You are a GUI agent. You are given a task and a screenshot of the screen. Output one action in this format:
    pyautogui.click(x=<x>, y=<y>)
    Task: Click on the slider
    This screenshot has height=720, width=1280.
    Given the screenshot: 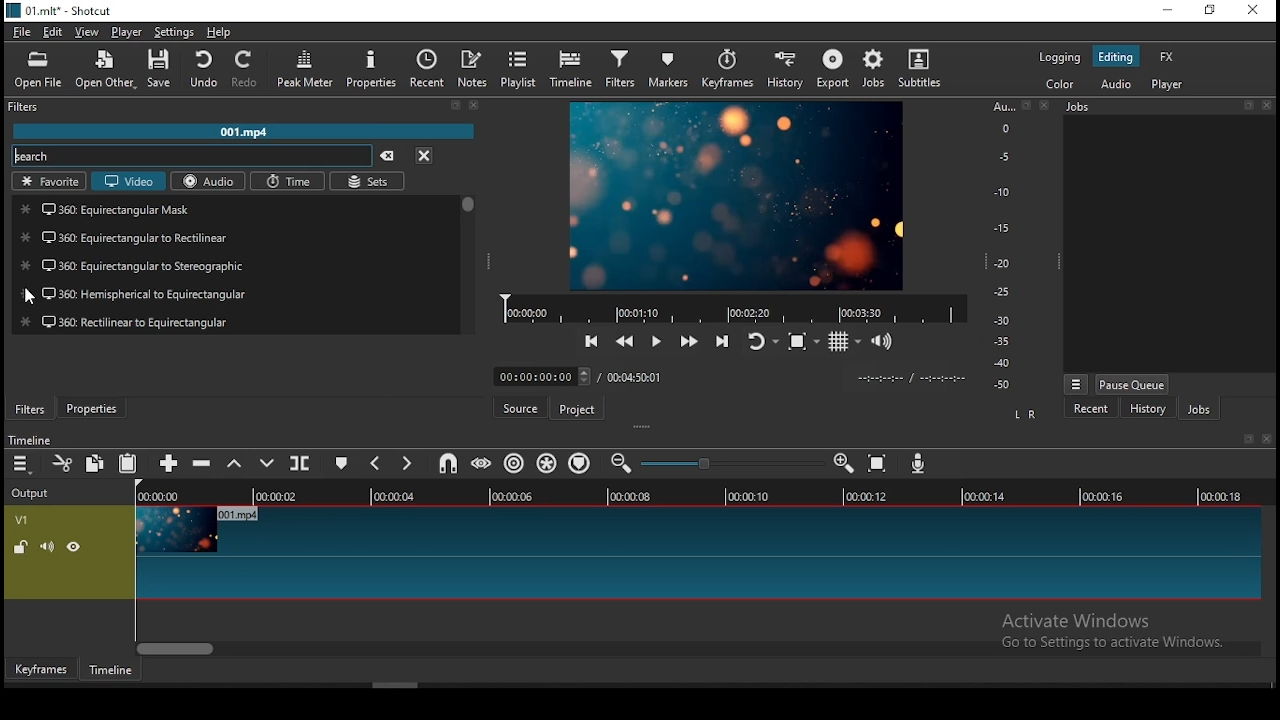 What is the action you would take?
    pyautogui.click(x=729, y=465)
    